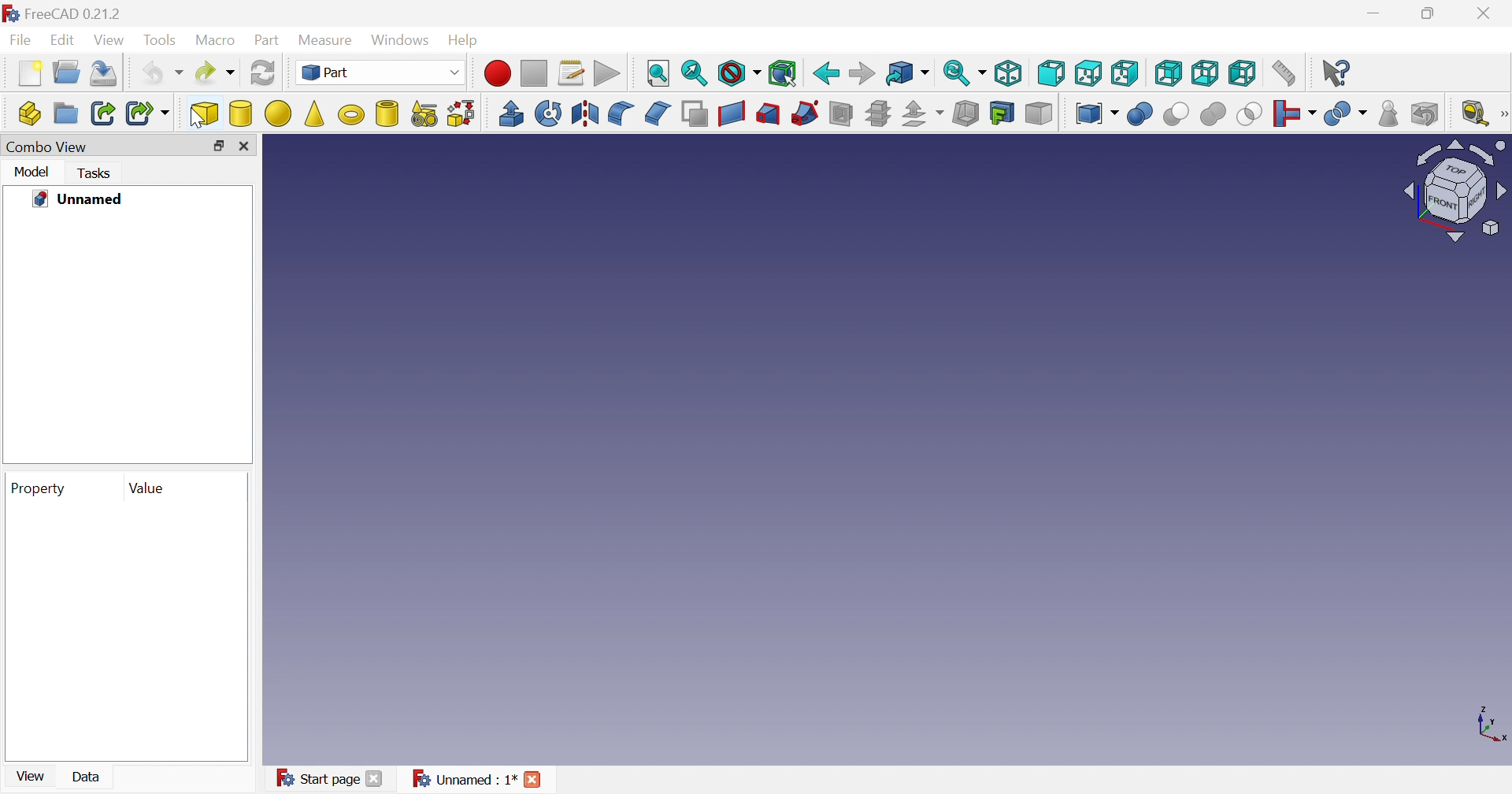 This screenshot has width=1512, height=794. I want to click on Sphere, so click(278, 113).